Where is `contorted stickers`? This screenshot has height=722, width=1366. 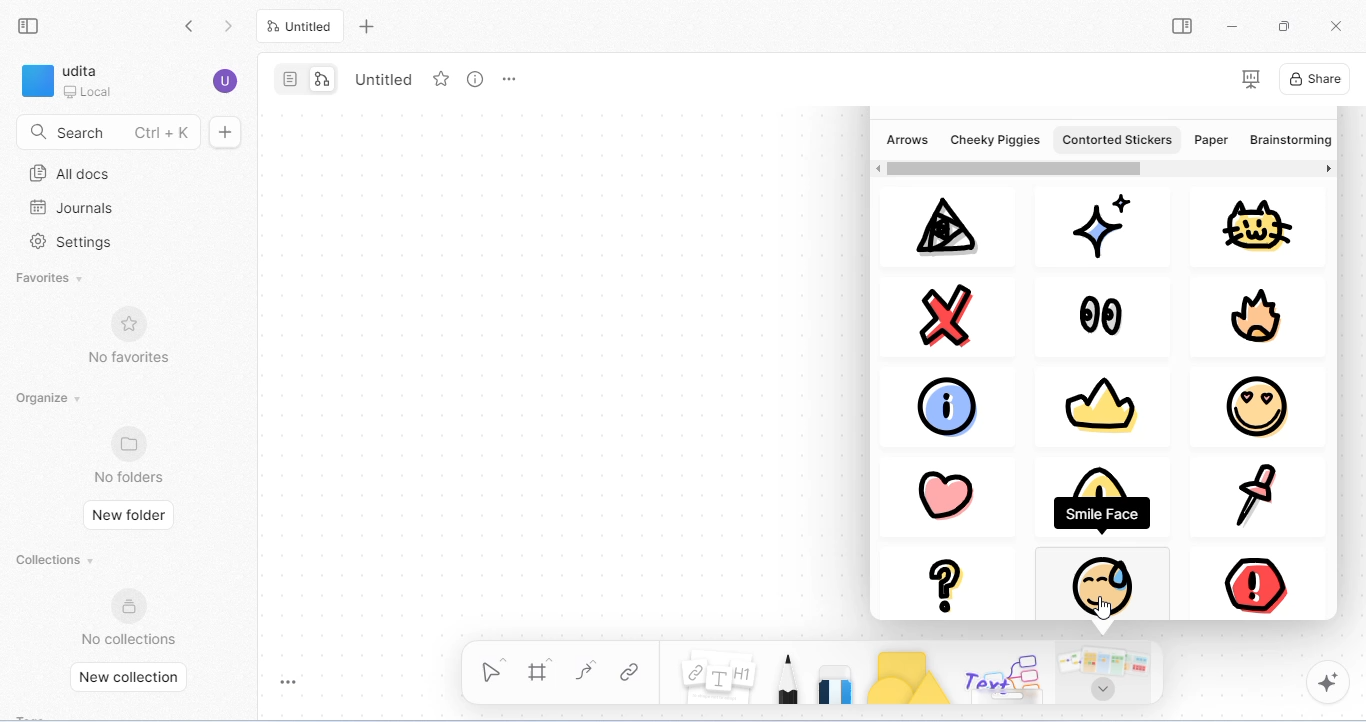 contorted stickers is located at coordinates (1115, 139).